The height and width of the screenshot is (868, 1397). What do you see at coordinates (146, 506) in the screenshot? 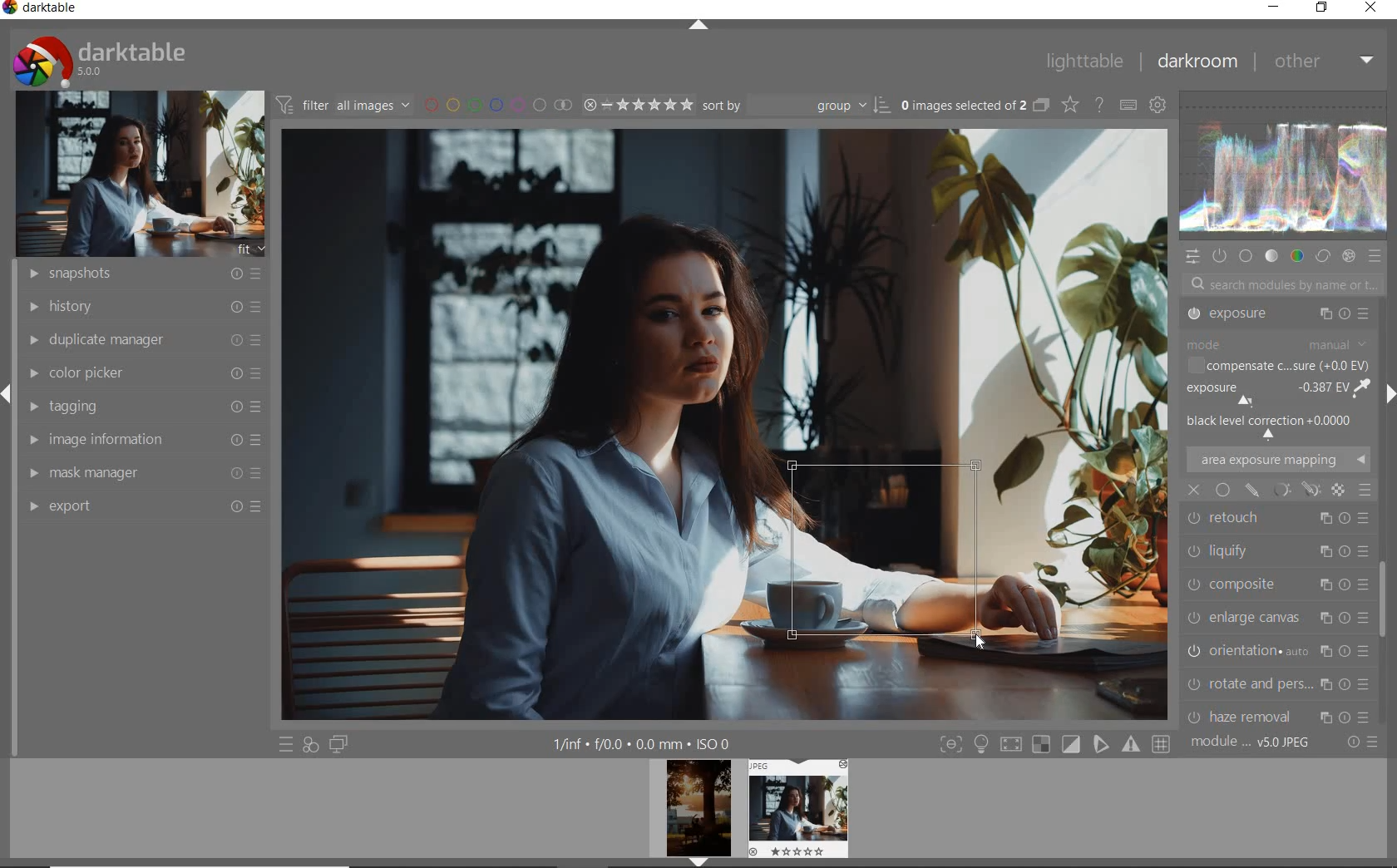
I see `EXPORT` at bounding box center [146, 506].